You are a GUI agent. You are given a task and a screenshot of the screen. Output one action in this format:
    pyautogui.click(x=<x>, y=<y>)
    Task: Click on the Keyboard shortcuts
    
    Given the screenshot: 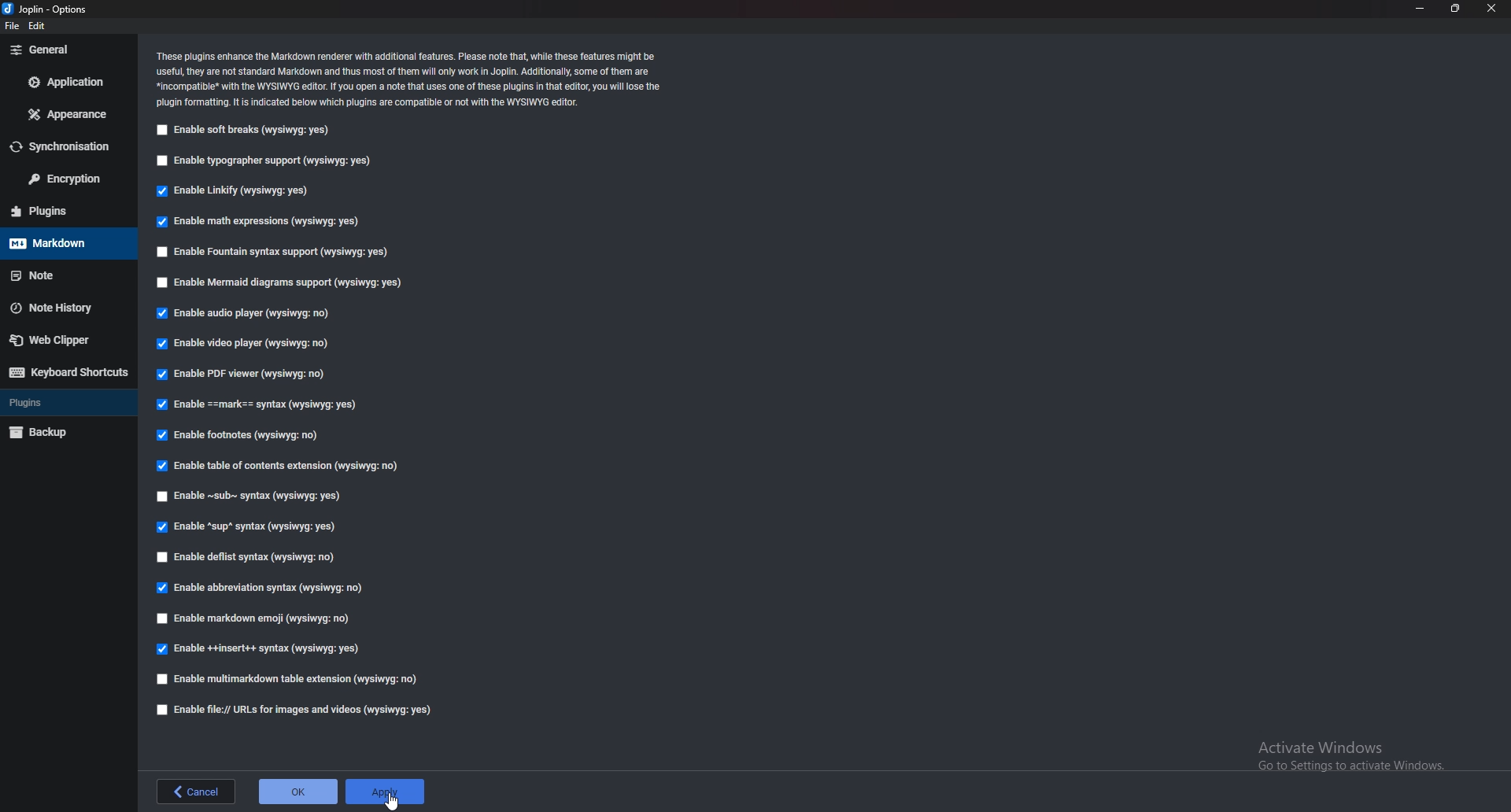 What is the action you would take?
    pyautogui.click(x=67, y=374)
    